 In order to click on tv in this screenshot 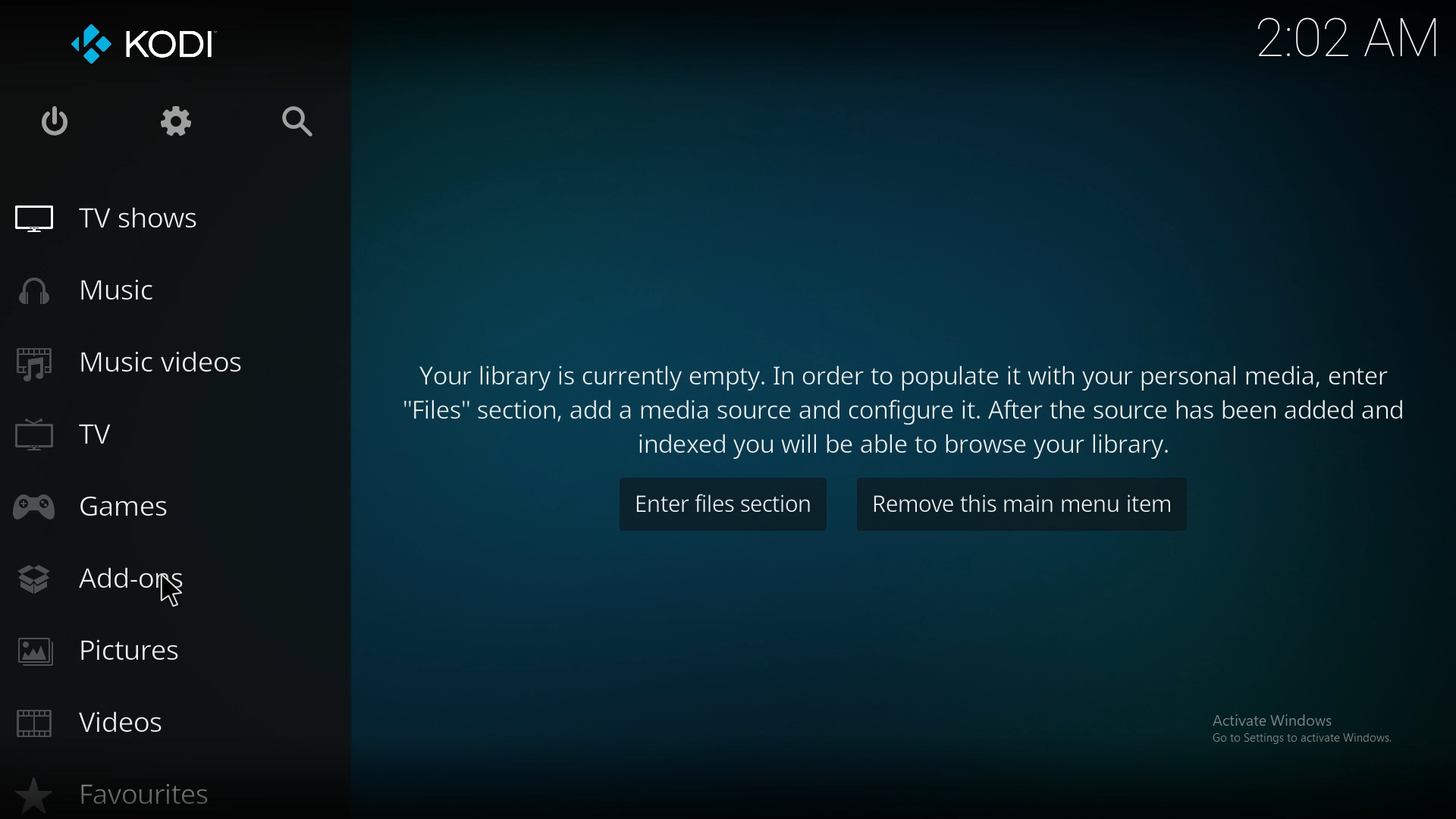, I will do `click(85, 437)`.